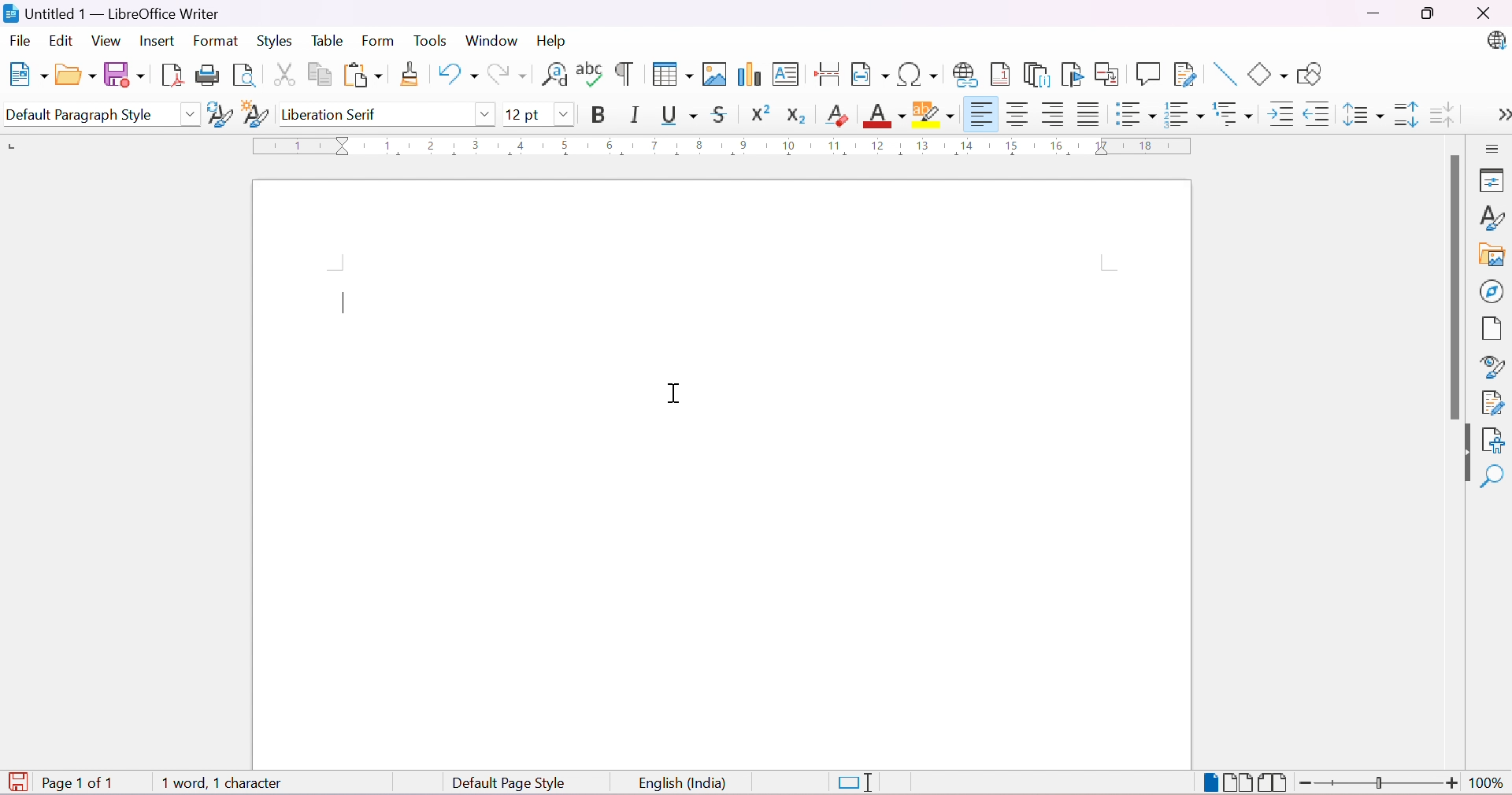 This screenshot has width=1512, height=795. Describe the element at coordinates (589, 75) in the screenshot. I see `Check Spelling` at that location.